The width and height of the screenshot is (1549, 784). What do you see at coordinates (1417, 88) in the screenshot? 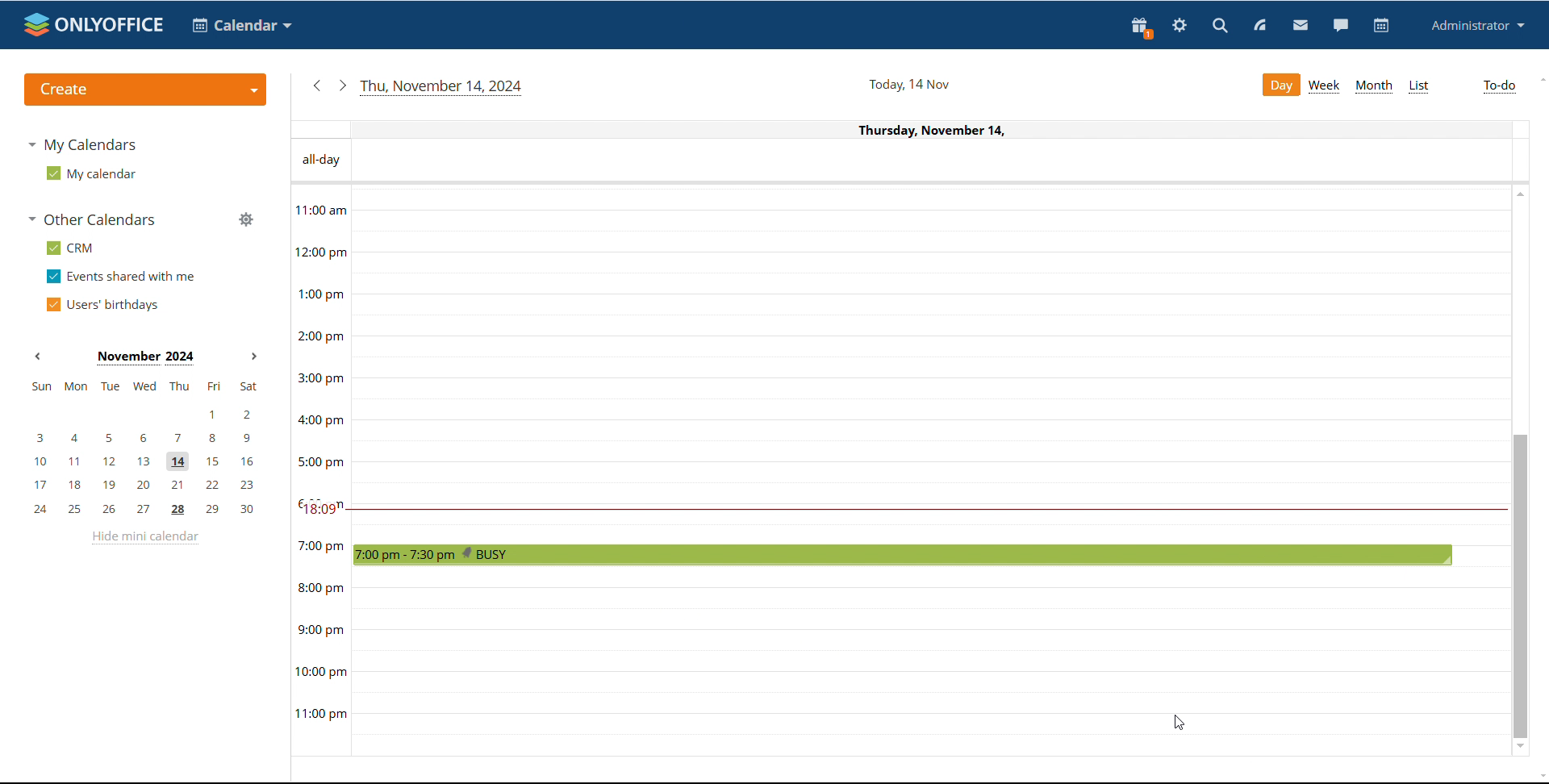
I see `list view` at bounding box center [1417, 88].